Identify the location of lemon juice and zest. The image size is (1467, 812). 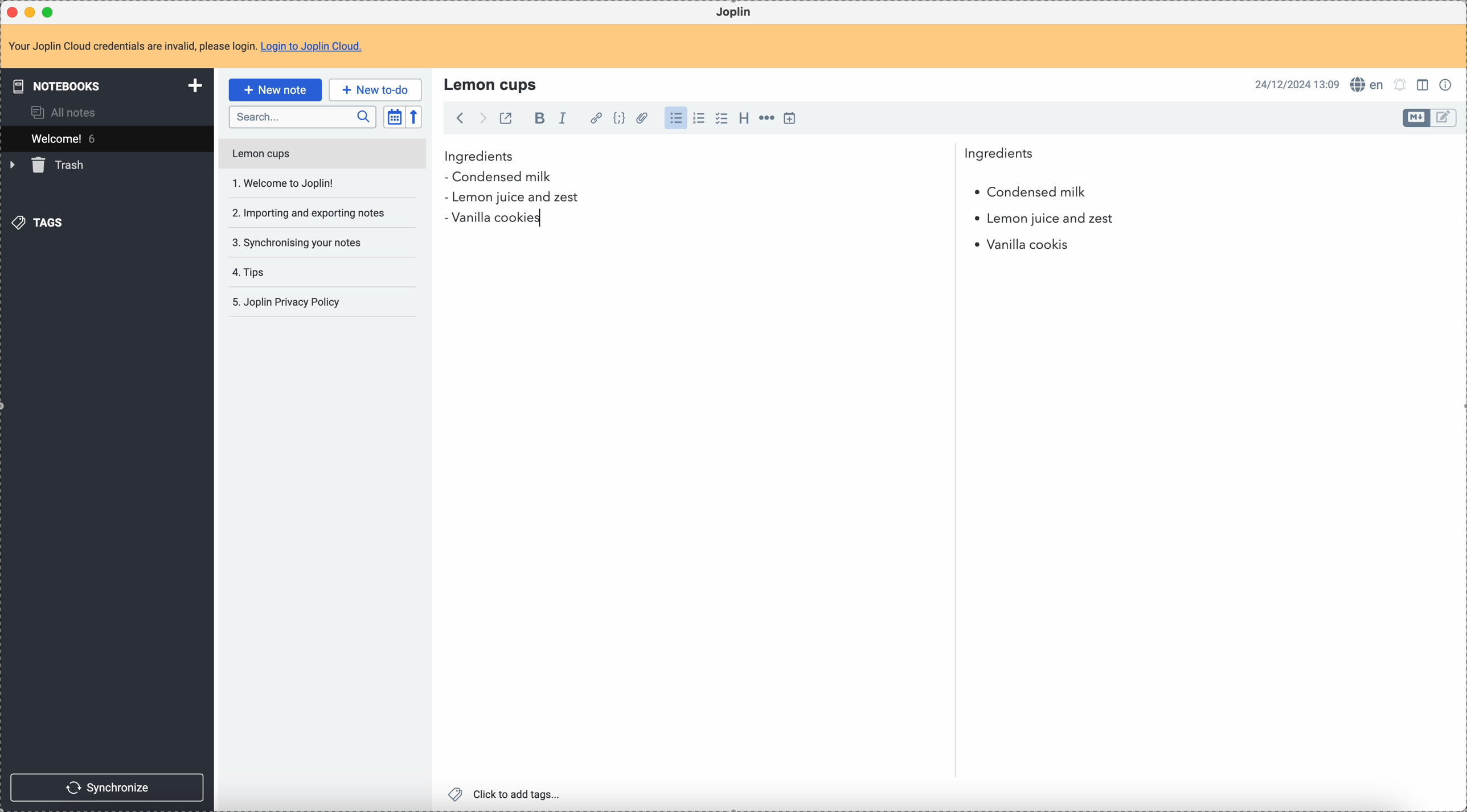
(511, 199).